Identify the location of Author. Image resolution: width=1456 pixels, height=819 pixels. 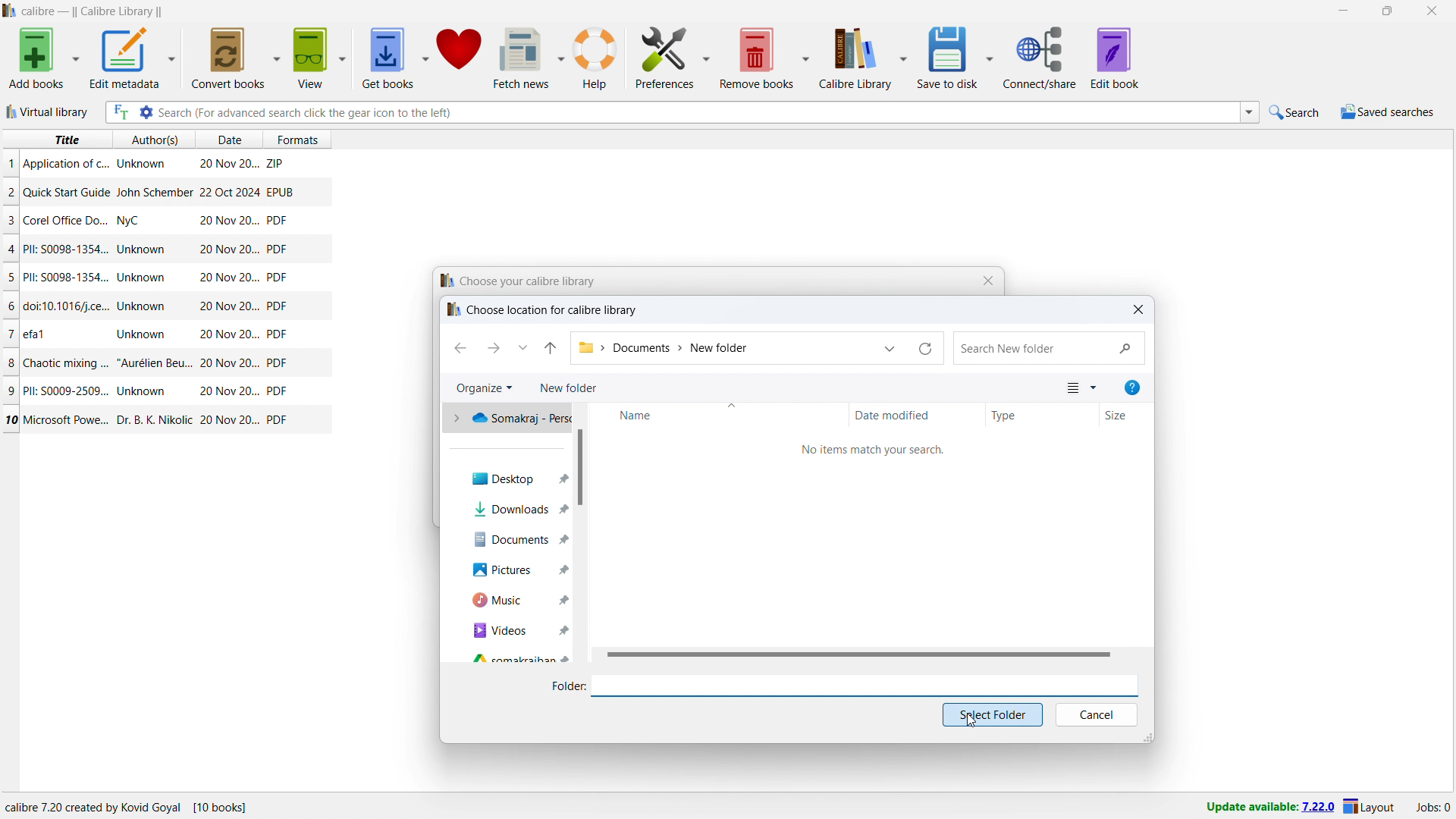
(144, 391).